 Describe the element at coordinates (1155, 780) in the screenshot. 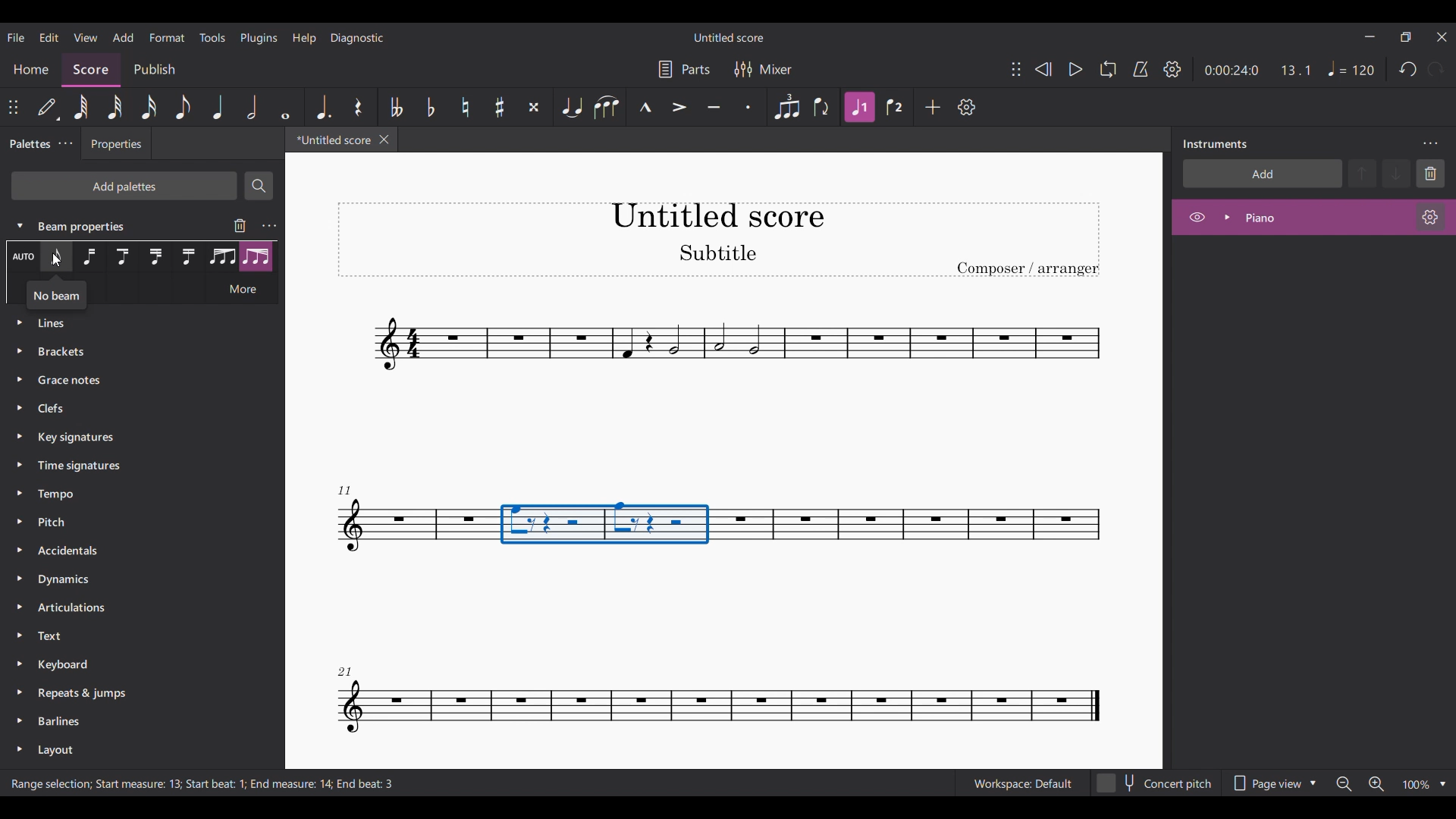

I see `Concert pitch` at that location.